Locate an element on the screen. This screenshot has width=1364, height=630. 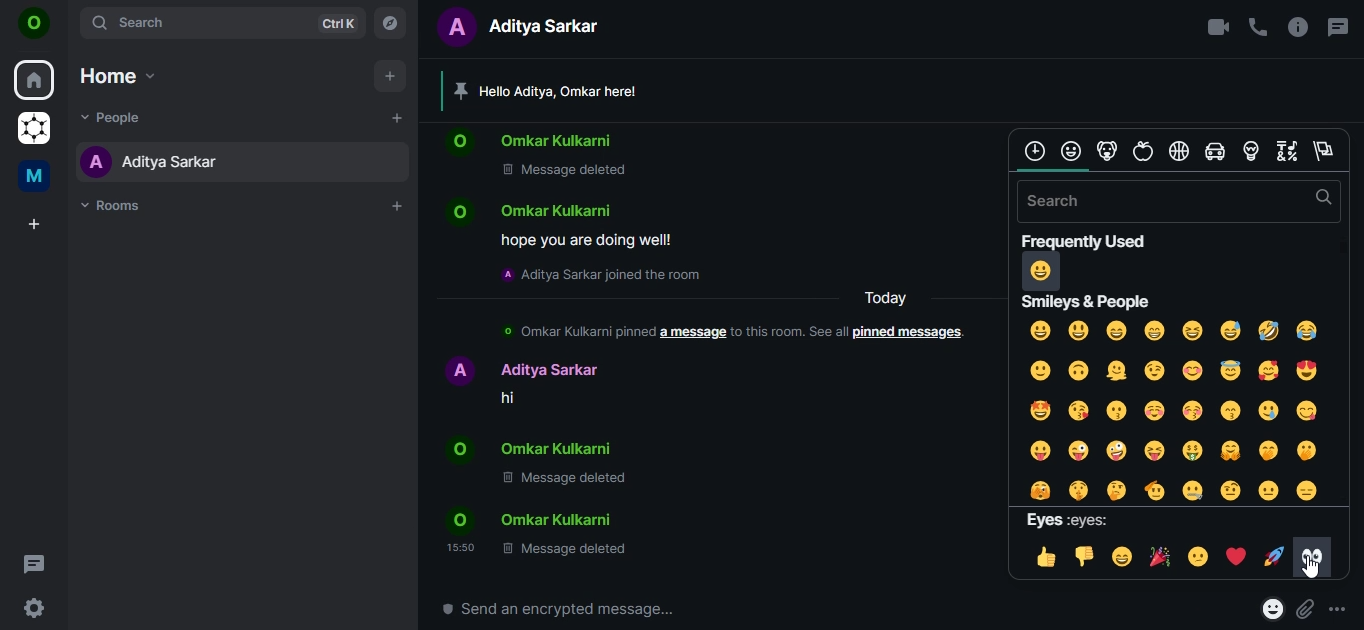
thinking face is located at coordinates (1114, 491).